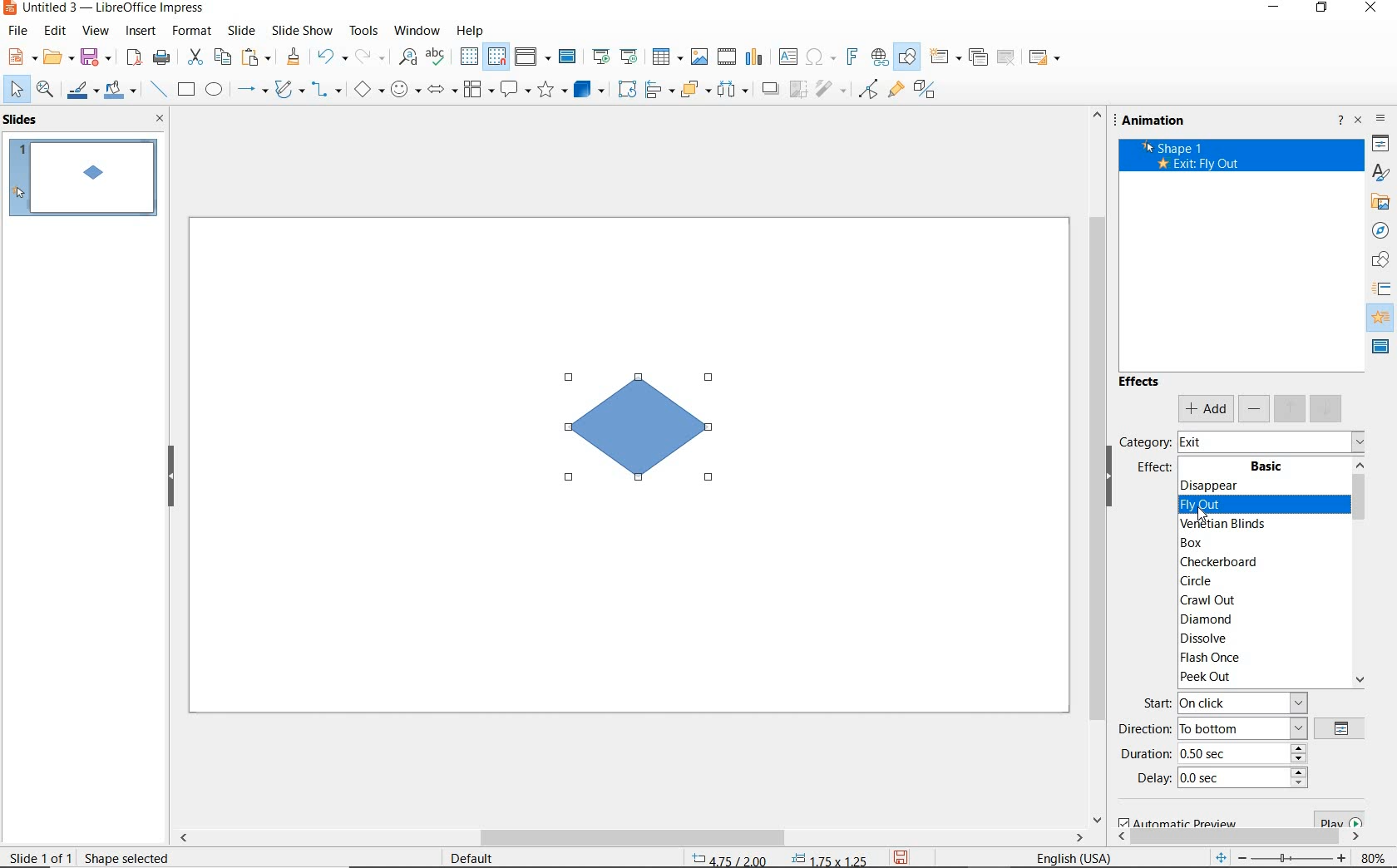  I want to click on file, so click(20, 31).